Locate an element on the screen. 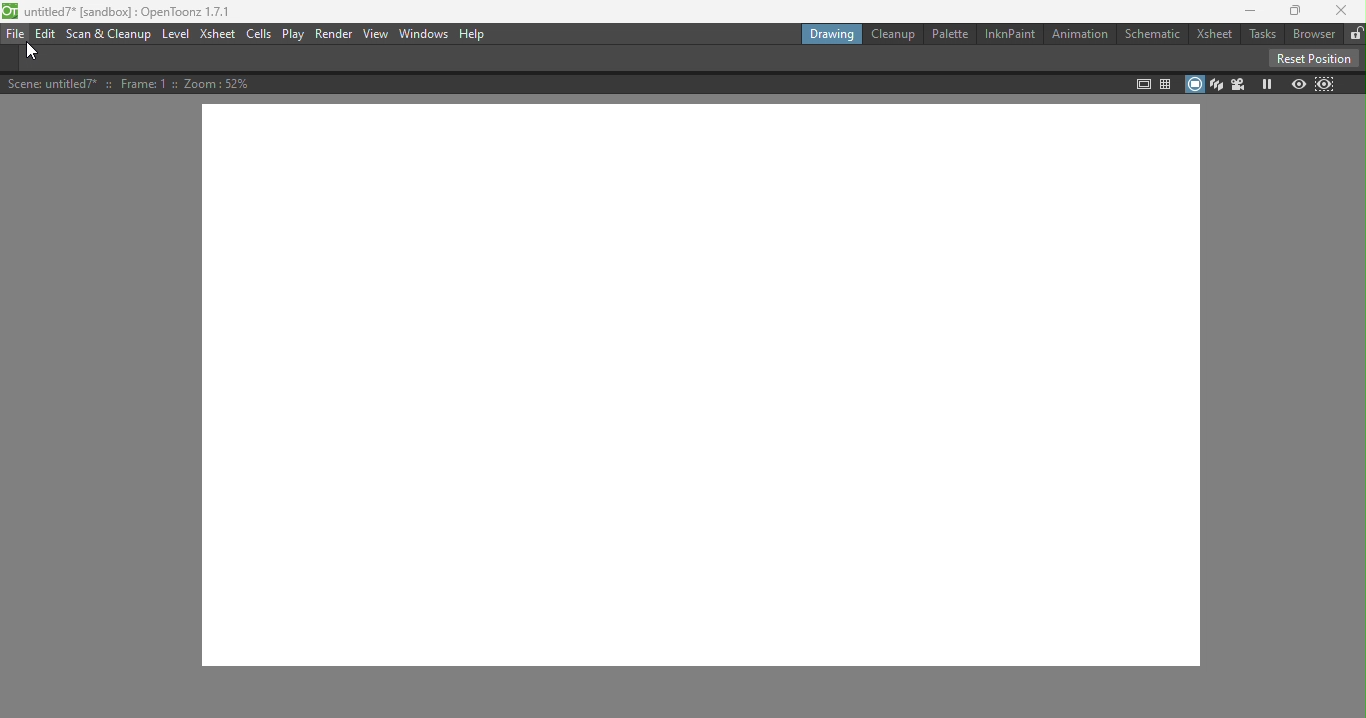 The height and width of the screenshot is (718, 1366). Cleanup is located at coordinates (892, 34).